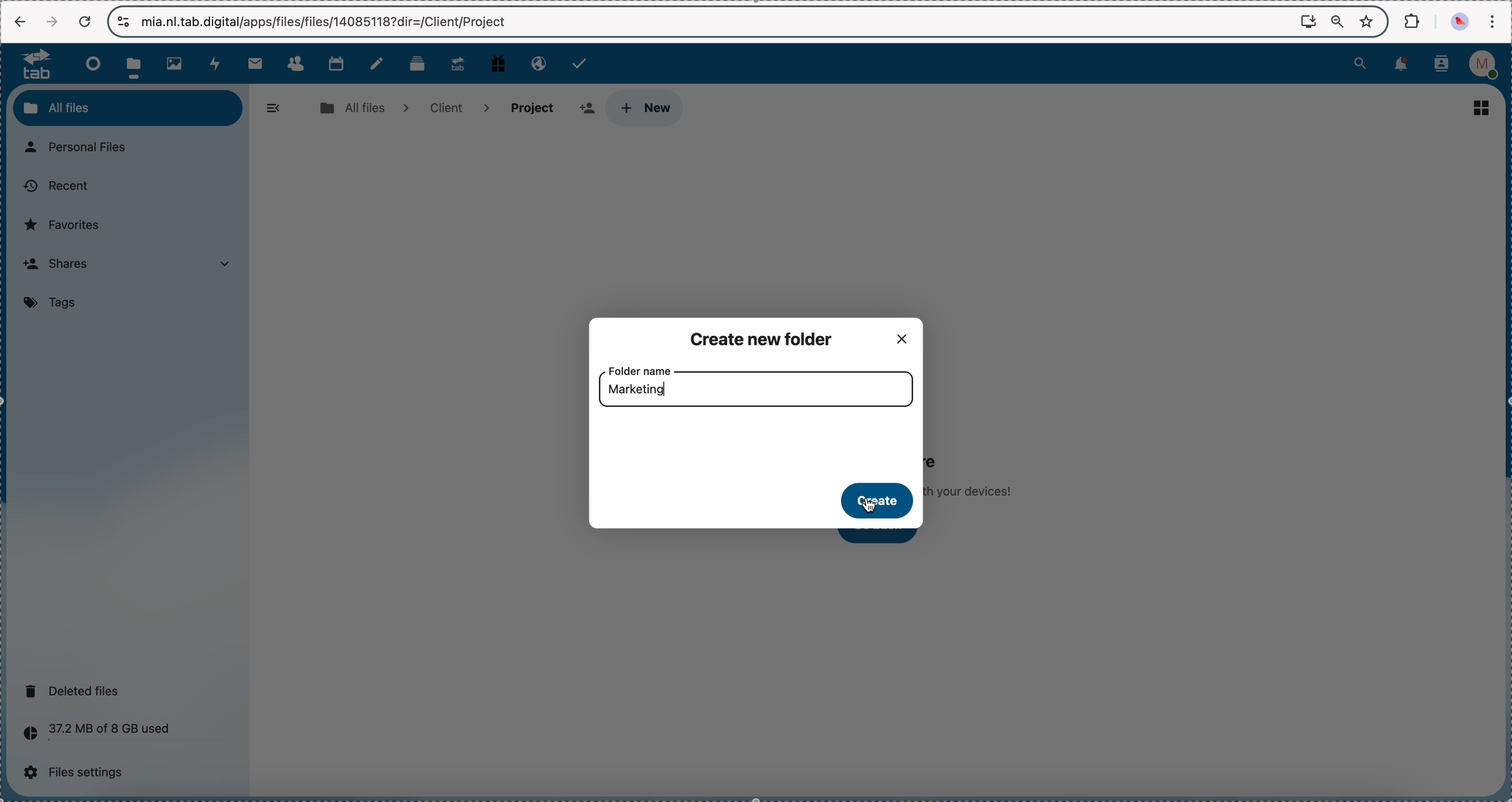  What do you see at coordinates (458, 63) in the screenshot?
I see `upgrade` at bounding box center [458, 63].